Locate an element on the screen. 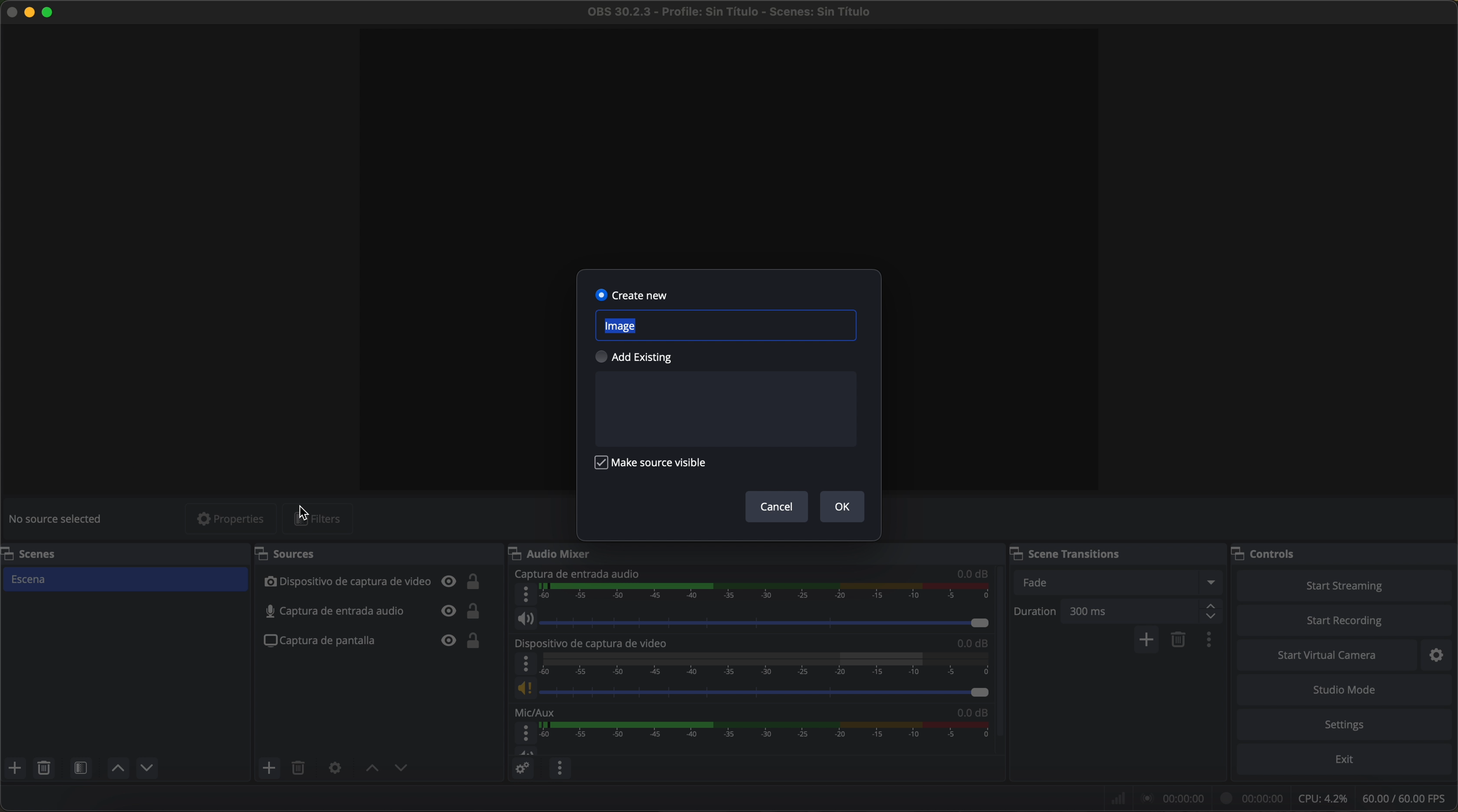  properties is located at coordinates (230, 519).